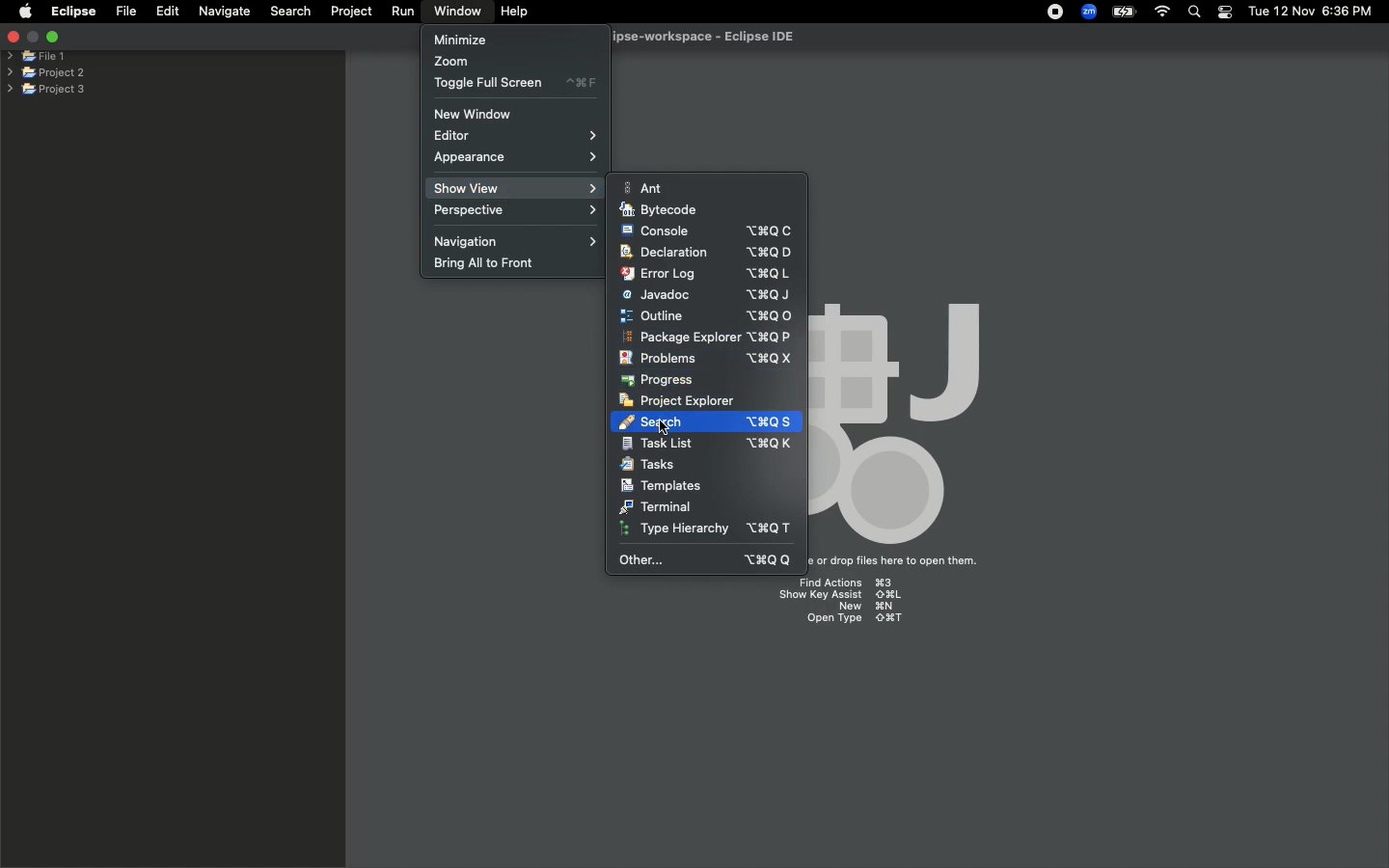 This screenshot has height=868, width=1389. What do you see at coordinates (1090, 12) in the screenshot?
I see `Zoom` at bounding box center [1090, 12].